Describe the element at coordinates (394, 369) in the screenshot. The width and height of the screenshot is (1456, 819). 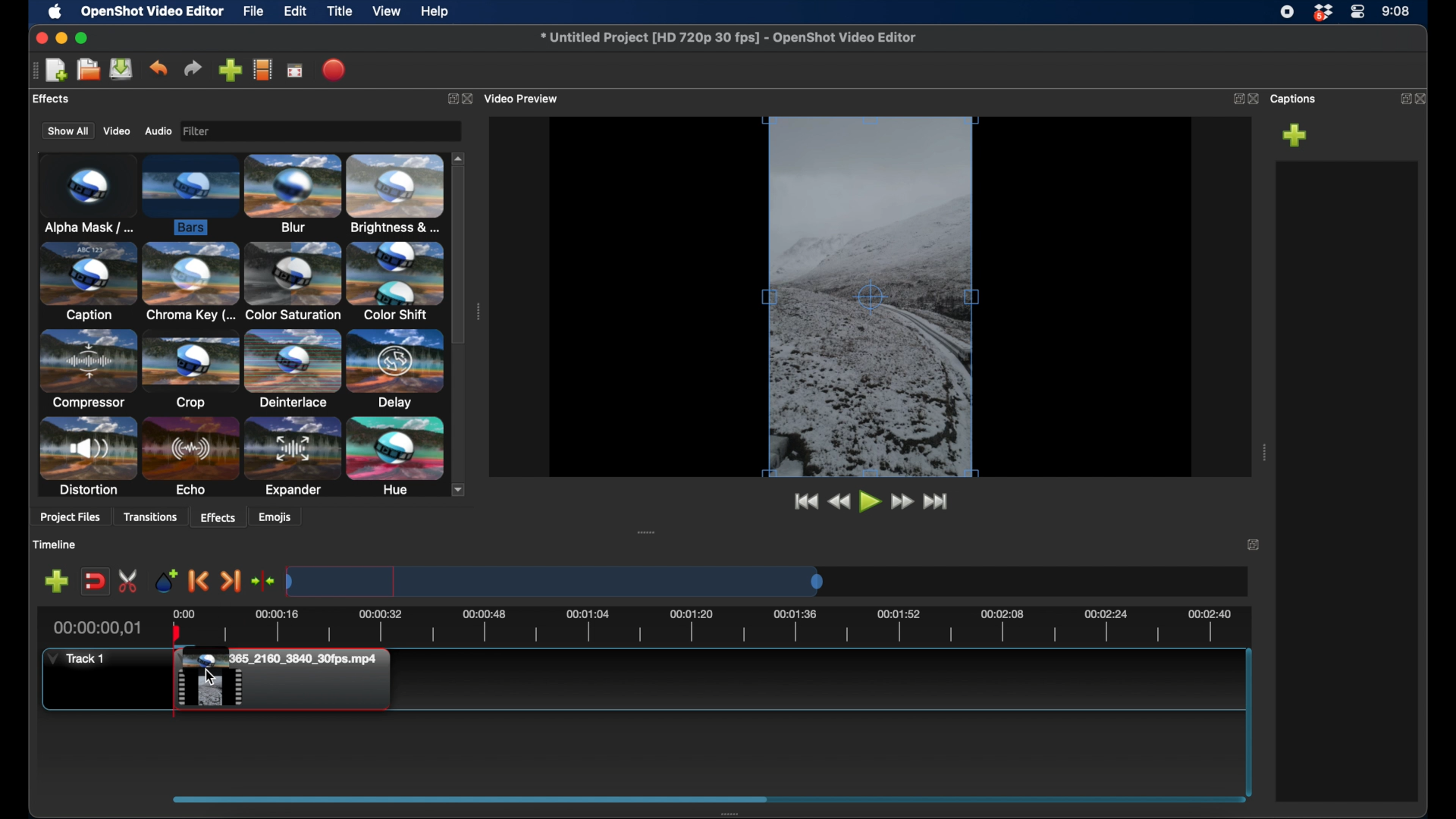
I see `delay` at that location.